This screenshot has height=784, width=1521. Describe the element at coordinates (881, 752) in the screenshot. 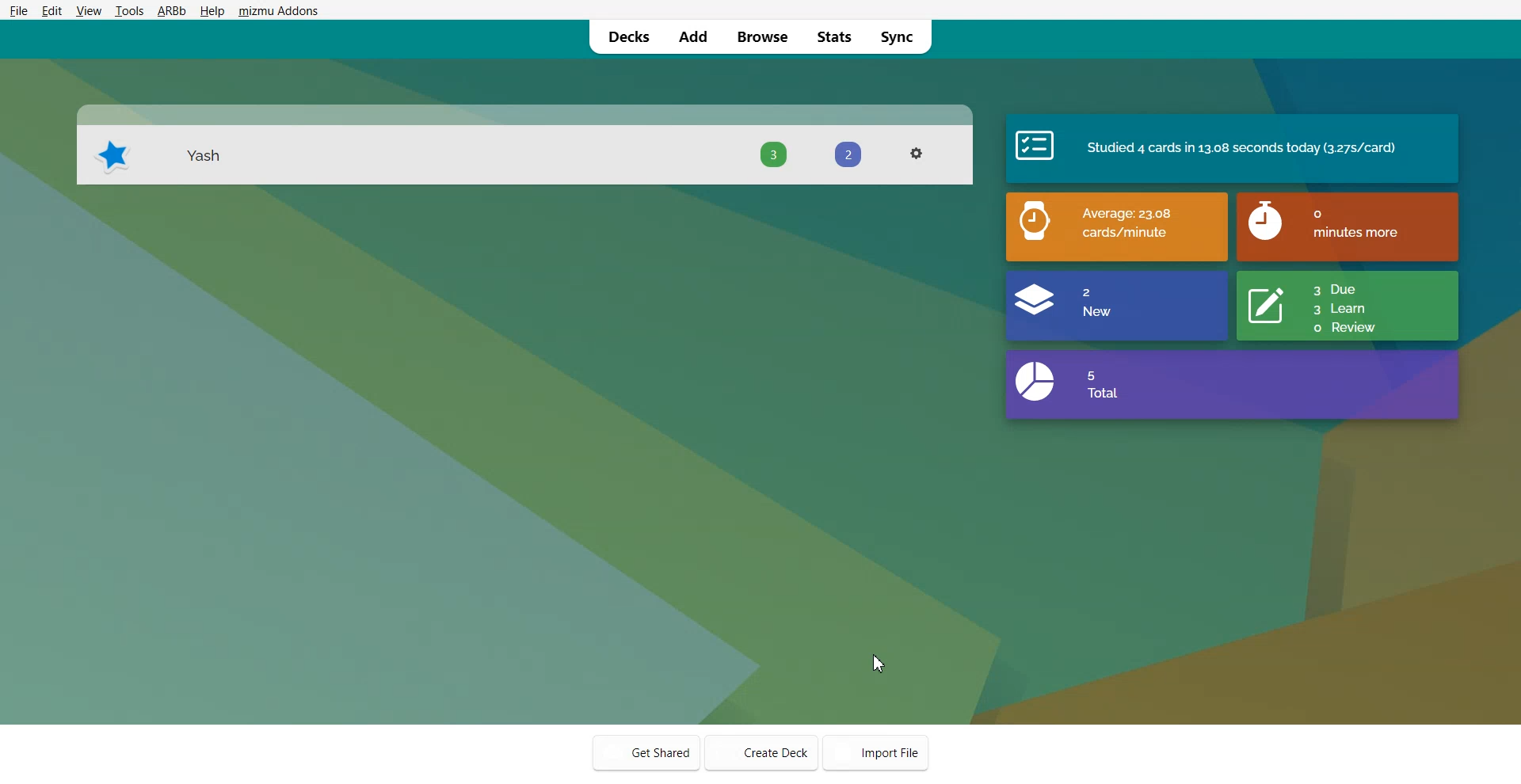

I see `Import File` at that location.